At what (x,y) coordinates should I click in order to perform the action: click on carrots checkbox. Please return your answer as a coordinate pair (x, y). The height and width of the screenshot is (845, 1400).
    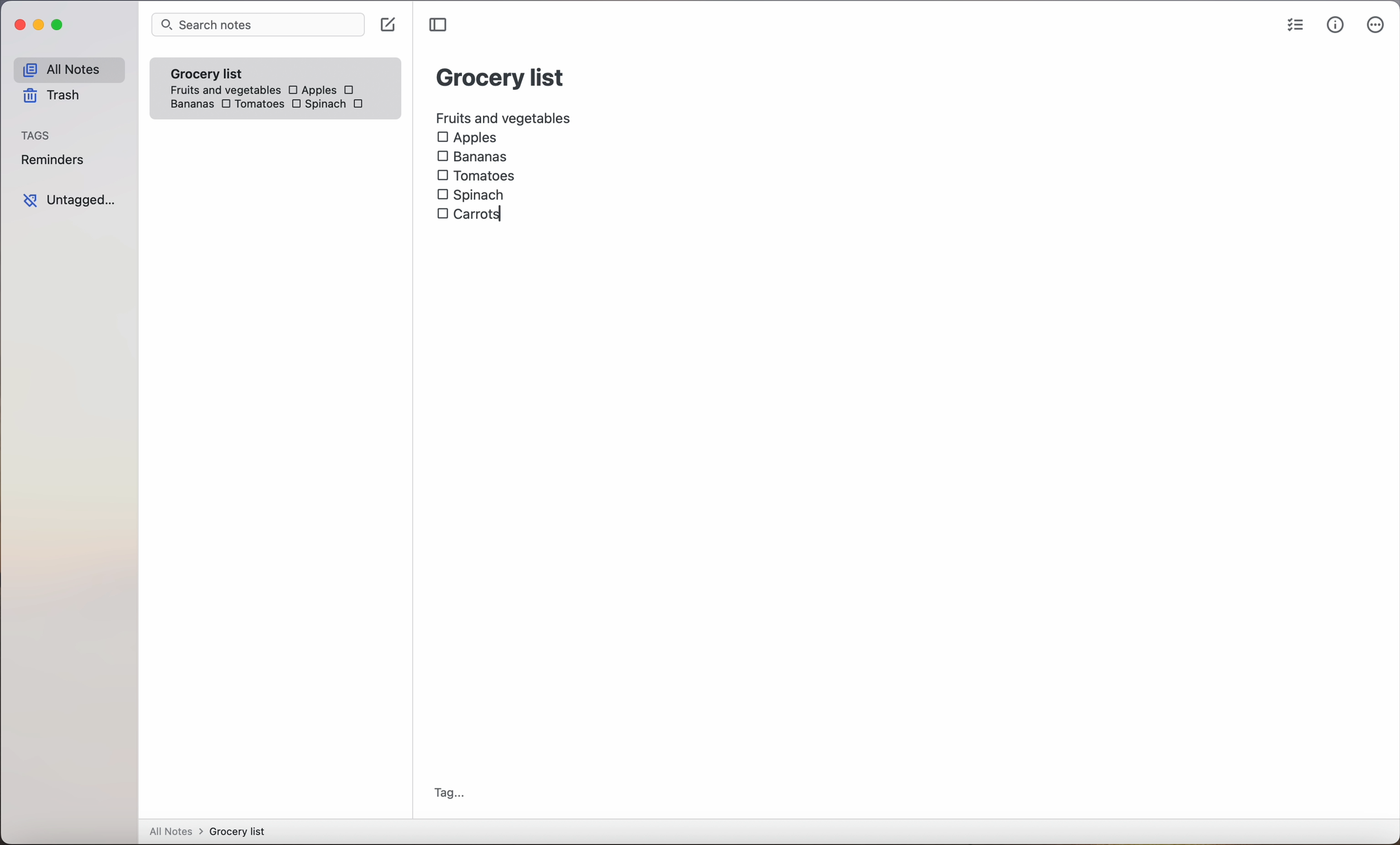
    Looking at the image, I should click on (472, 216).